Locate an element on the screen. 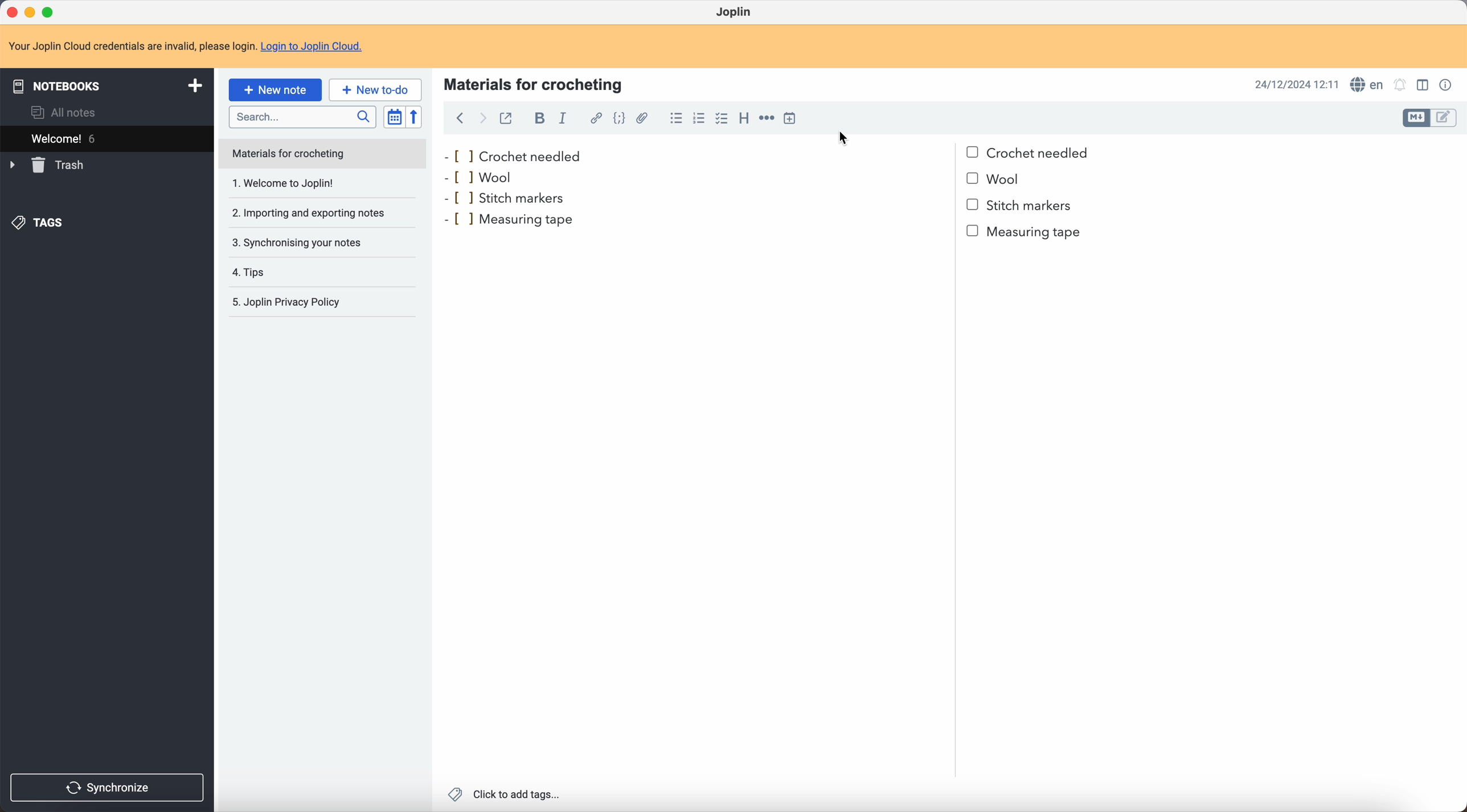 The height and width of the screenshot is (812, 1467). toggle sort order field is located at coordinates (394, 117).